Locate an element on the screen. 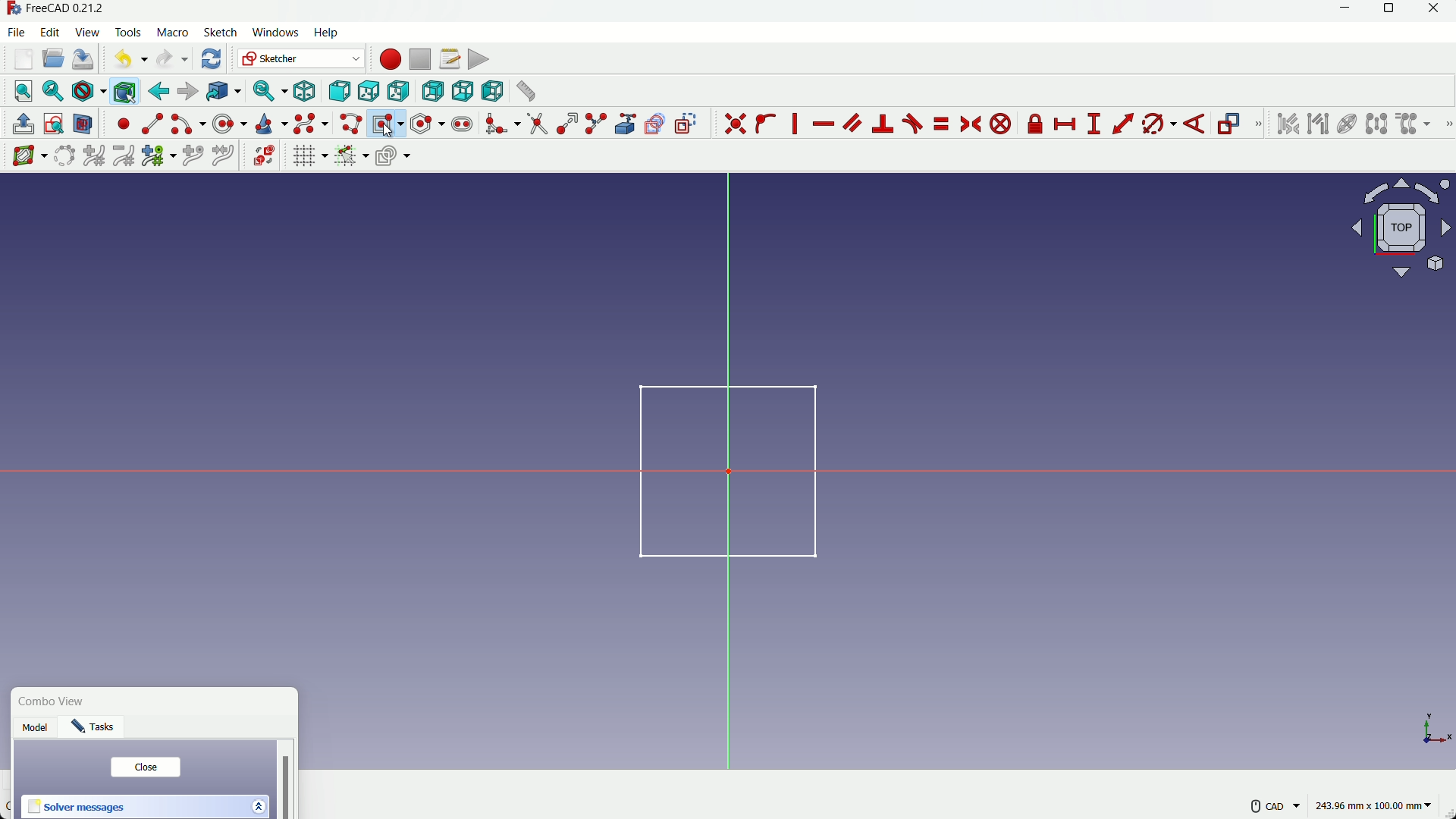 The width and height of the screenshot is (1456, 819). increase B spiline degree is located at coordinates (96, 156).